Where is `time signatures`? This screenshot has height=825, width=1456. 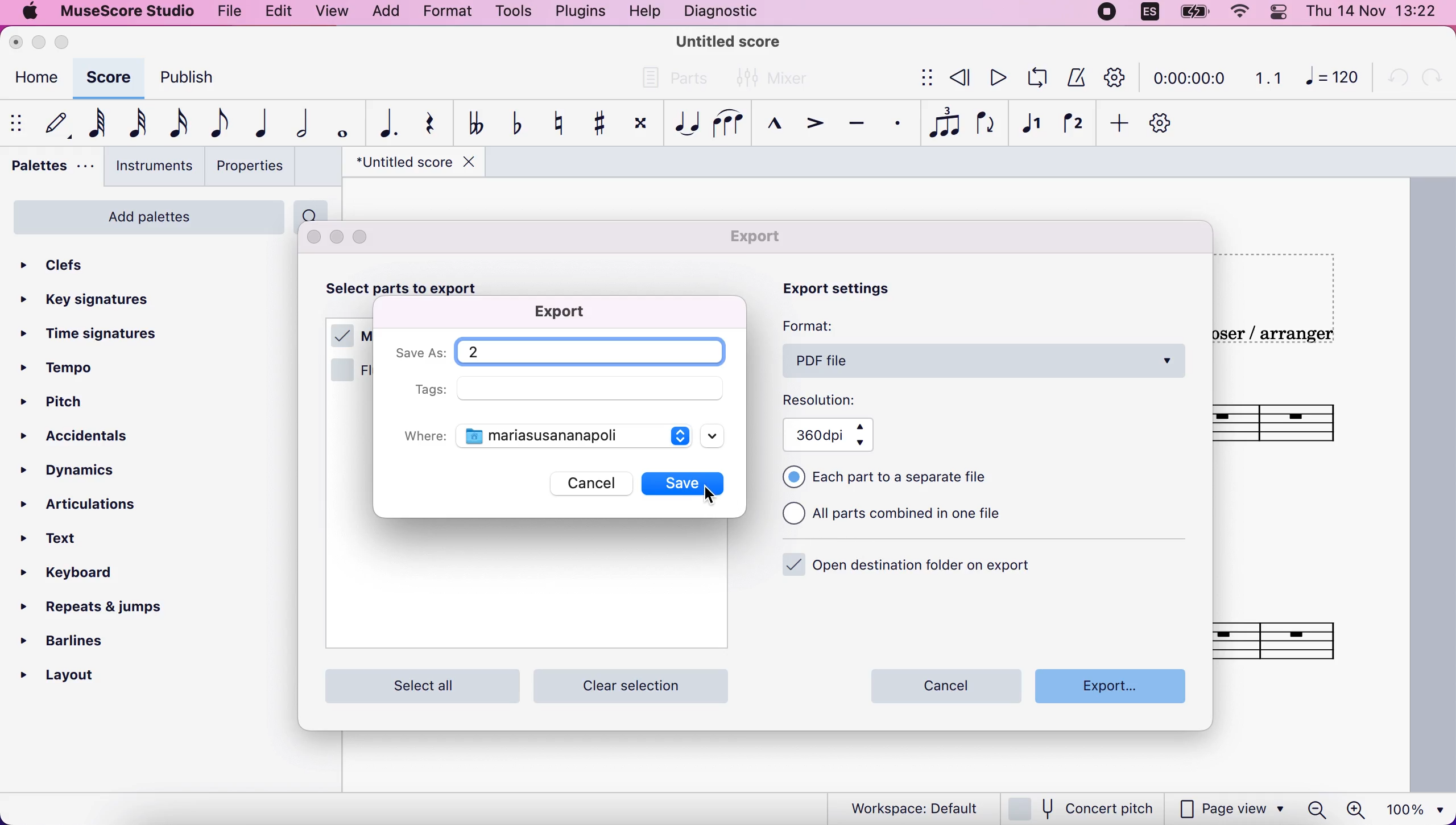 time signatures is located at coordinates (108, 335).